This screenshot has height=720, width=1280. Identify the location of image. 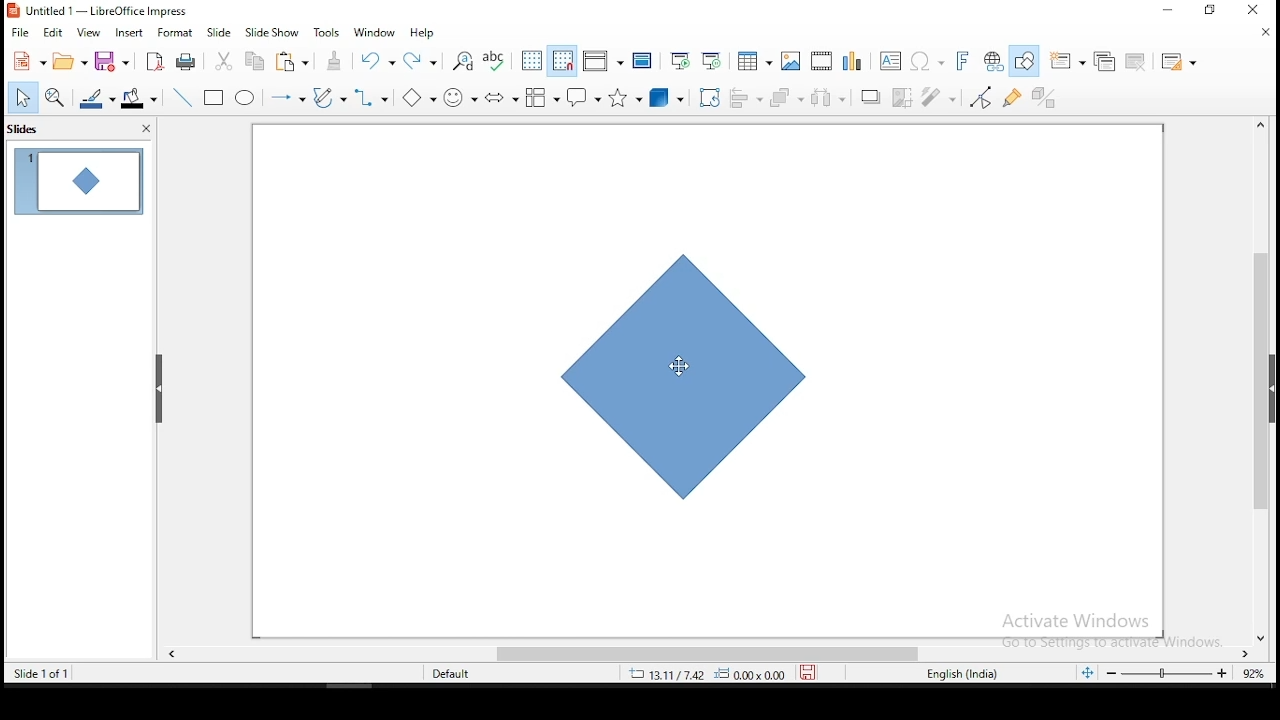
(793, 60).